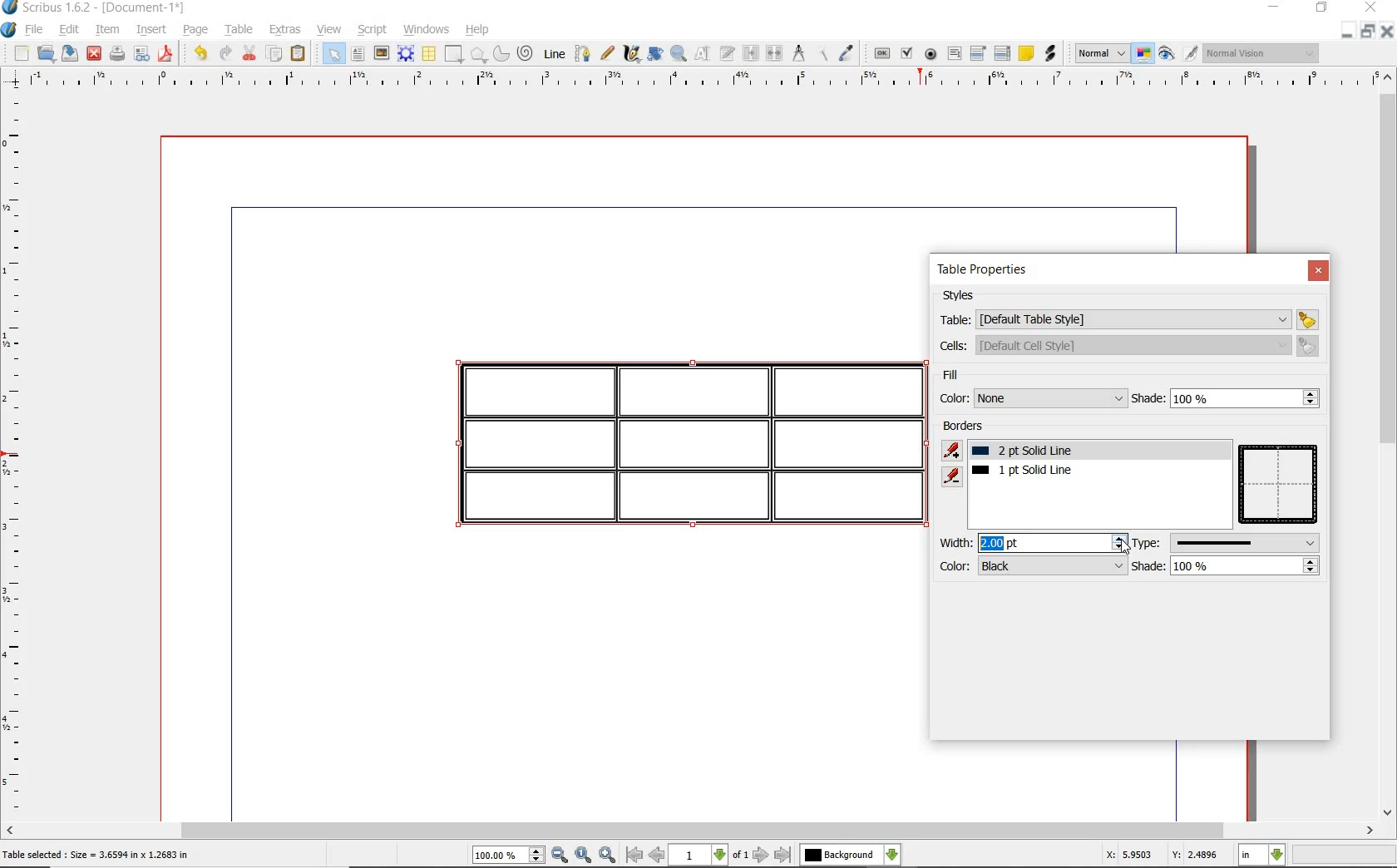 The image size is (1397, 868). Describe the element at coordinates (1389, 442) in the screenshot. I see `scrollbar` at that location.